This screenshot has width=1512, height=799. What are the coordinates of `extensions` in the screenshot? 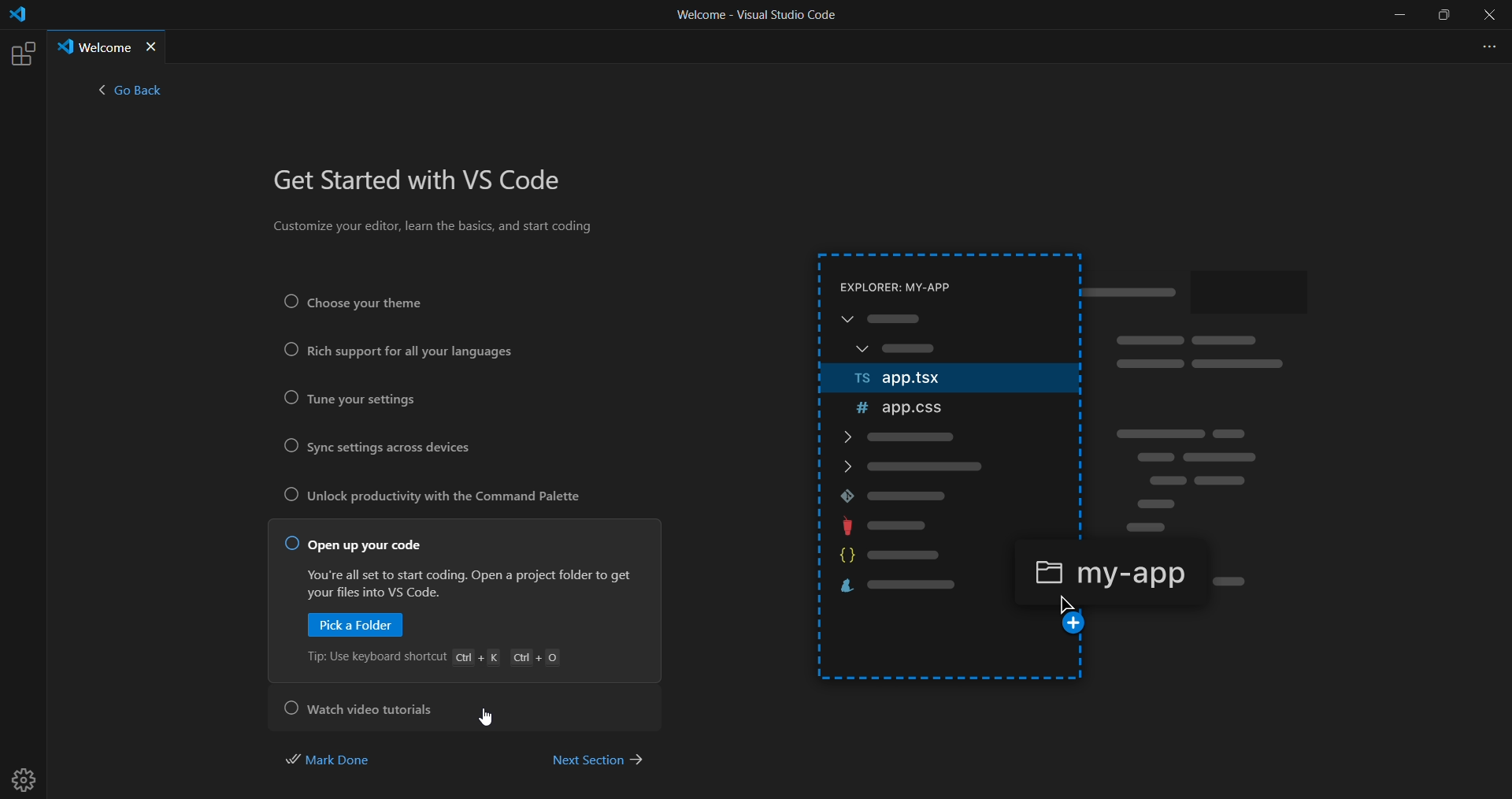 It's located at (21, 54).